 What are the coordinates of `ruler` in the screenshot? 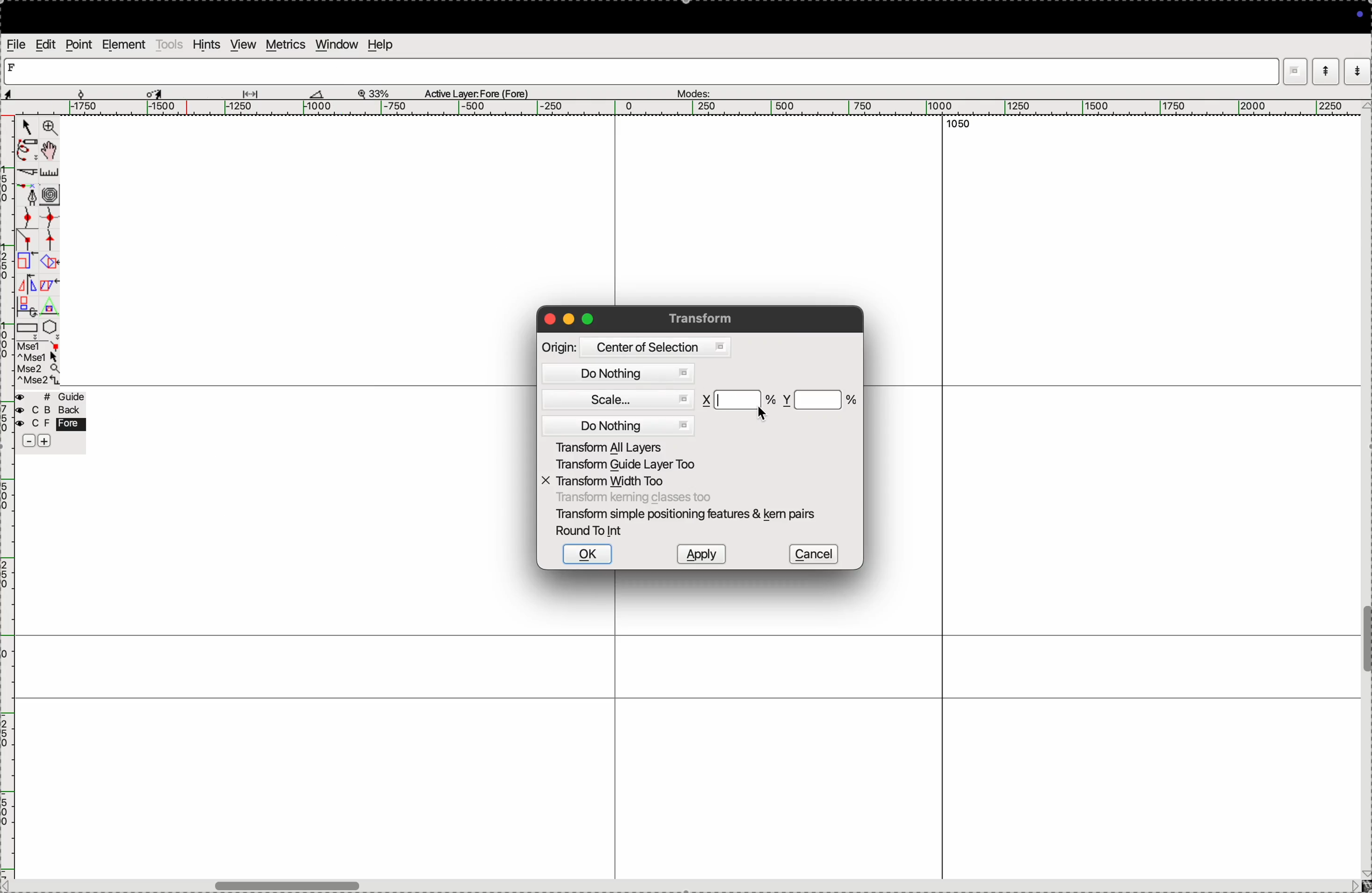 It's located at (56, 173).